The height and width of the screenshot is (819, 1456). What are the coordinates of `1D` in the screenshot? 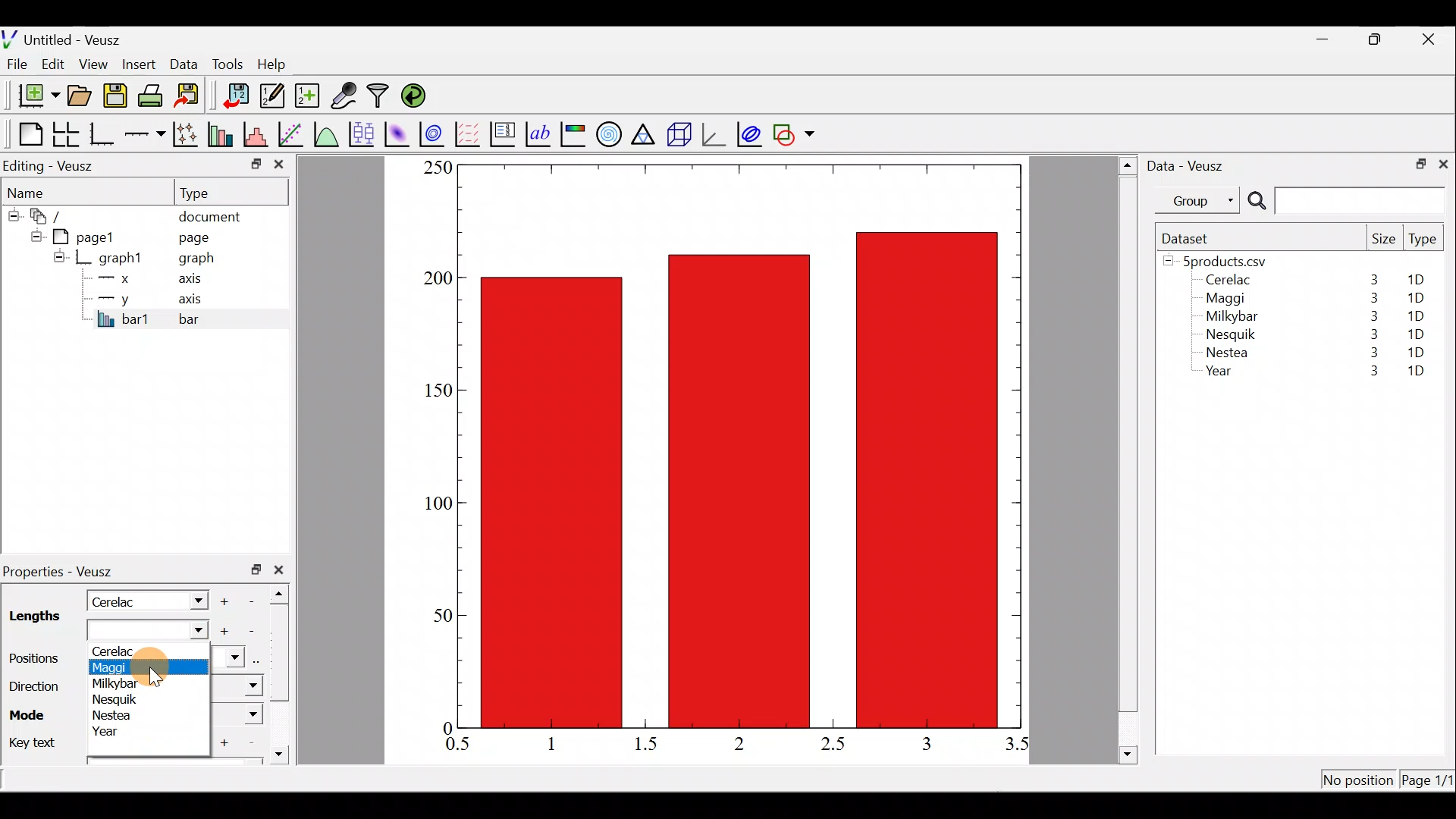 It's located at (1415, 298).